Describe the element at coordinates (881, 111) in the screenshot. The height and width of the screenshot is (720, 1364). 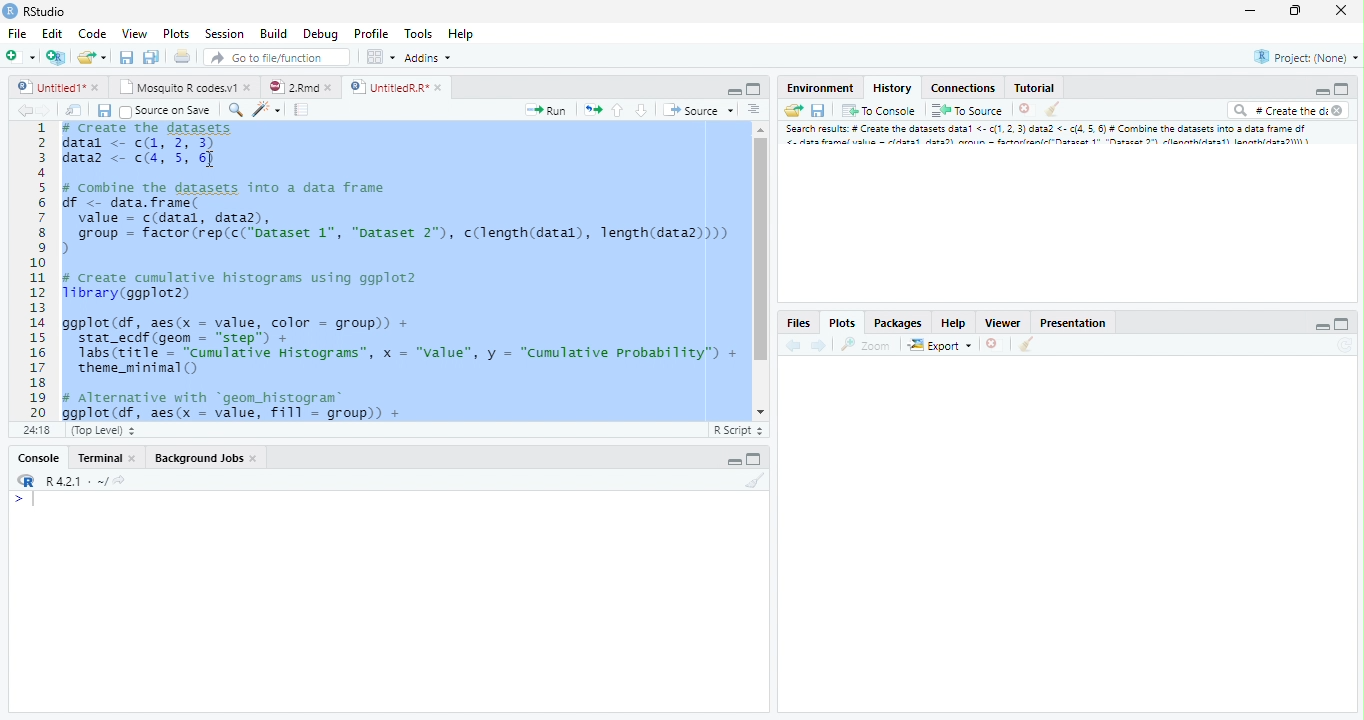
I see `To console` at that location.